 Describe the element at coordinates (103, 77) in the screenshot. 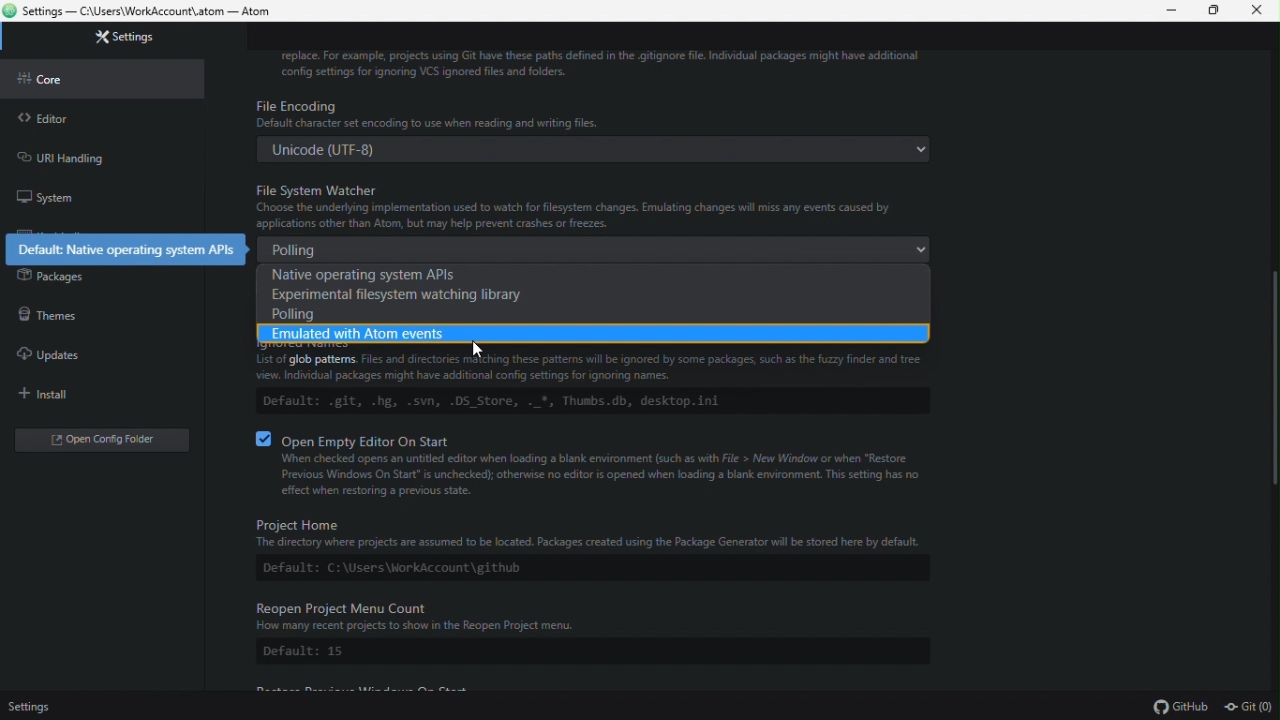

I see `core` at that location.